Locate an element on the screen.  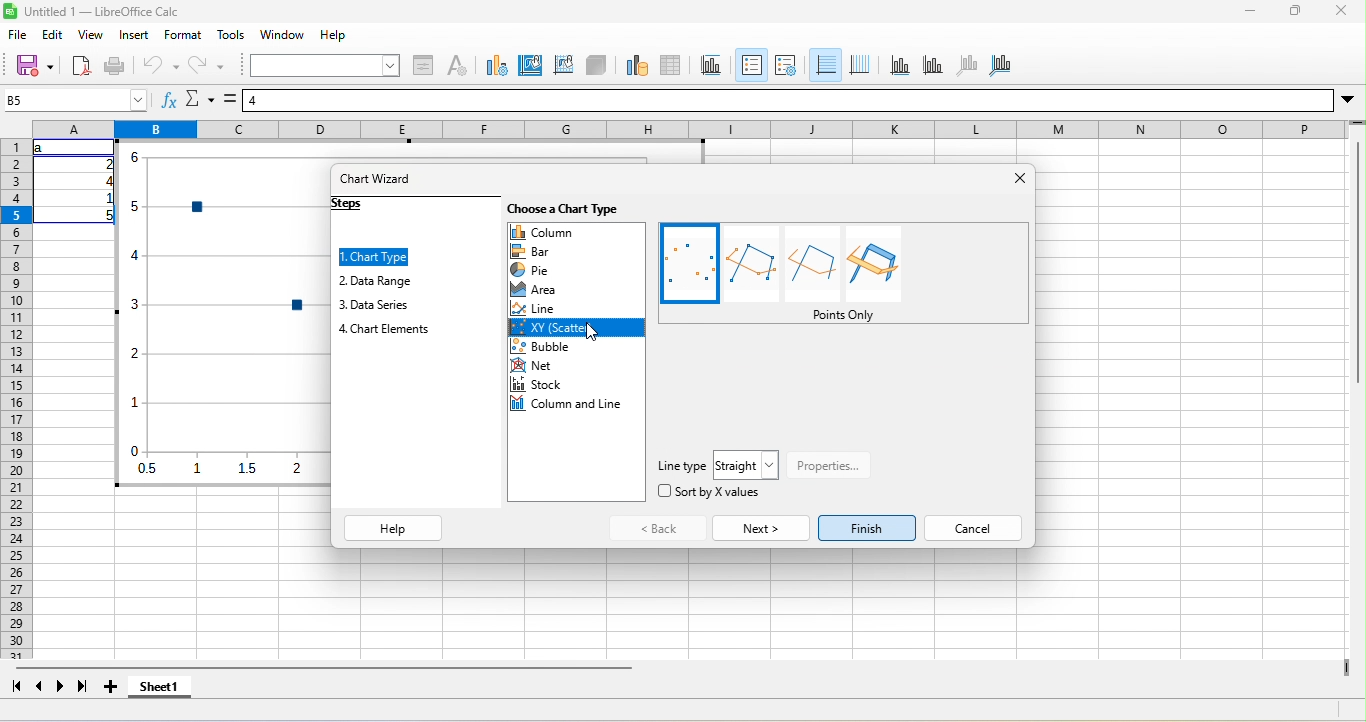
export directly as pdf is located at coordinates (81, 66).